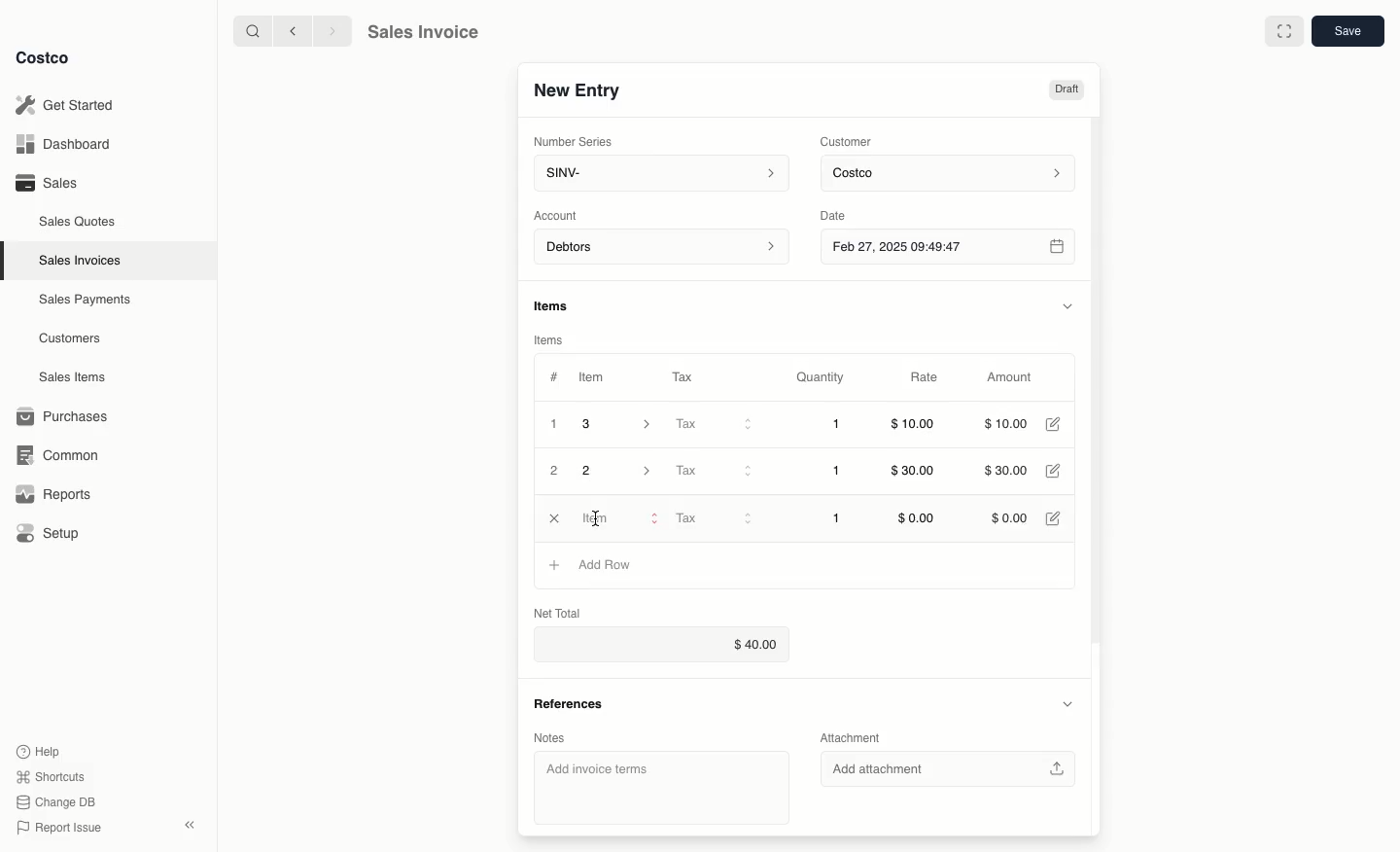 This screenshot has height=852, width=1400. Describe the element at coordinates (593, 376) in the screenshot. I see `Item` at that location.